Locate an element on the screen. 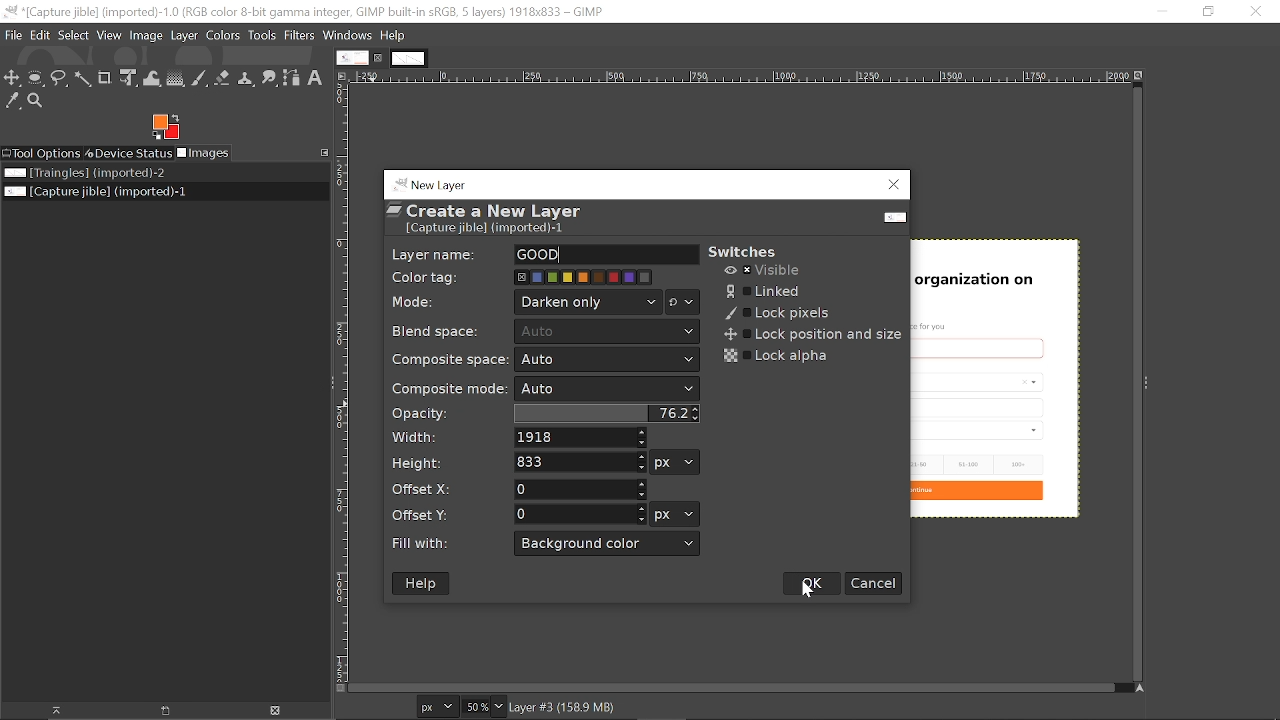 This screenshot has height=720, width=1280. color tag is located at coordinates (433, 278).